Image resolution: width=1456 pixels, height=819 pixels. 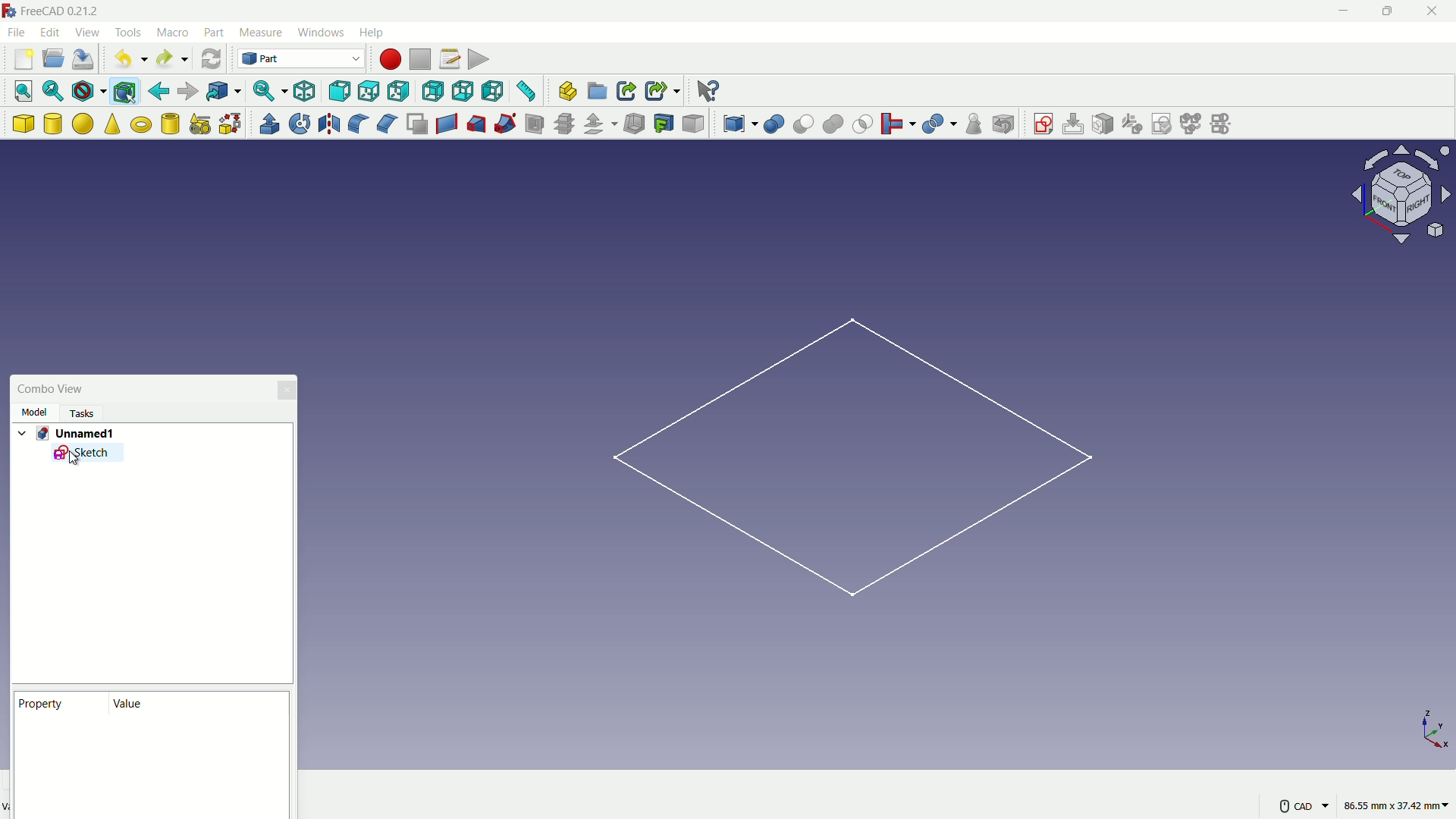 I want to click on cross section, so click(x=567, y=123).